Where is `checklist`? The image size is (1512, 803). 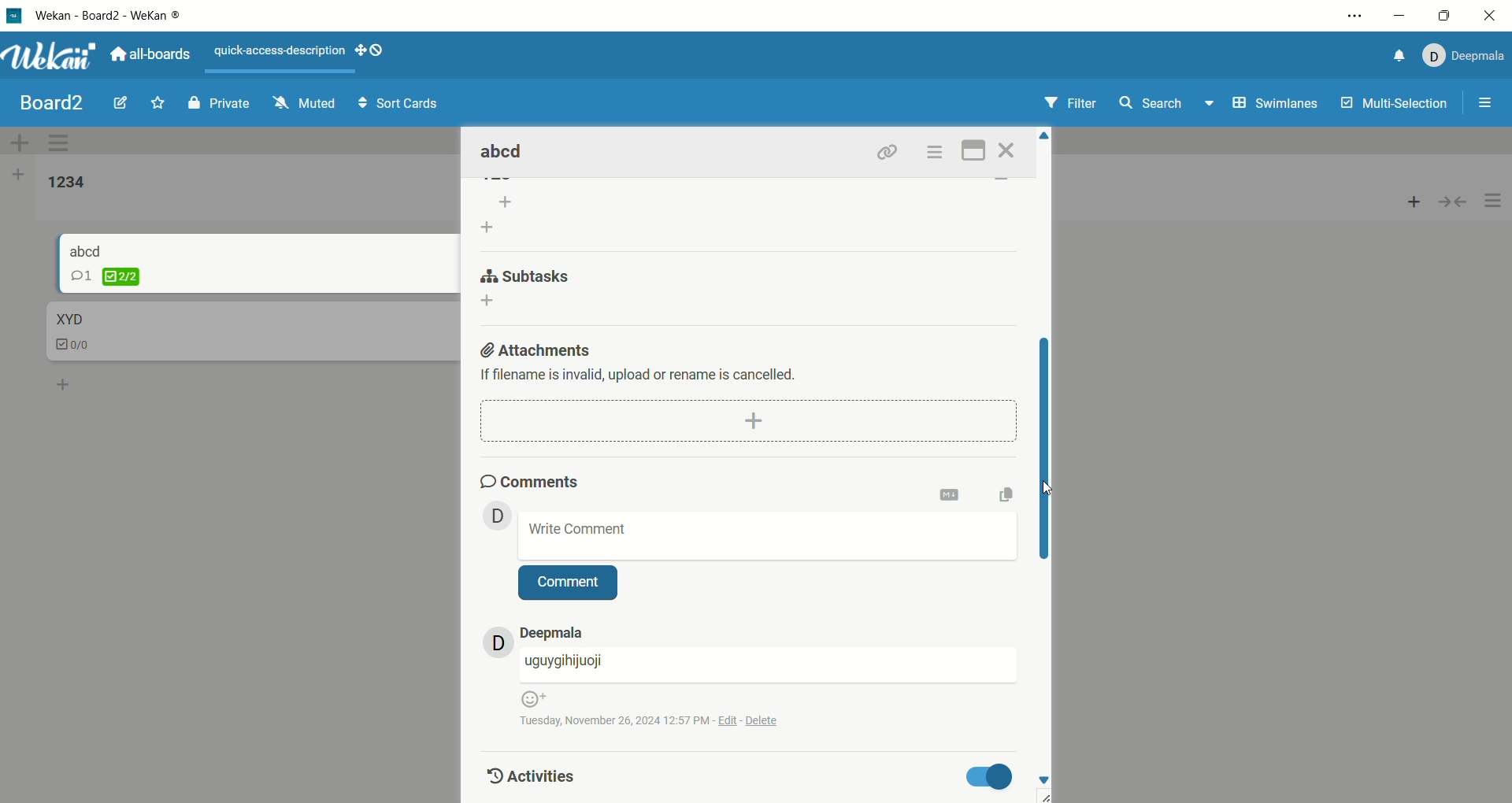
checklist is located at coordinates (75, 346).